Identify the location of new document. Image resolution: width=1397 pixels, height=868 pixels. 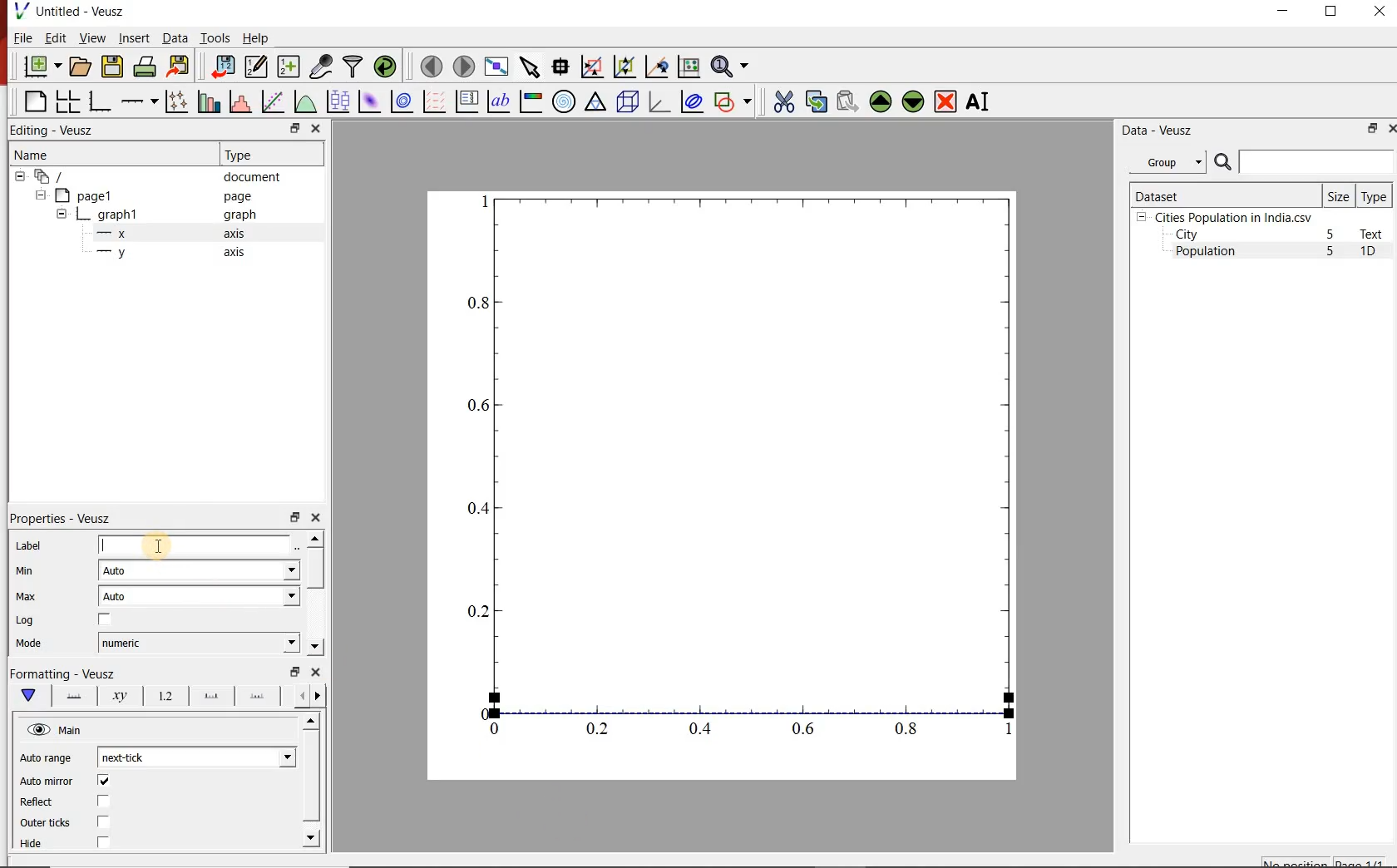
(39, 67).